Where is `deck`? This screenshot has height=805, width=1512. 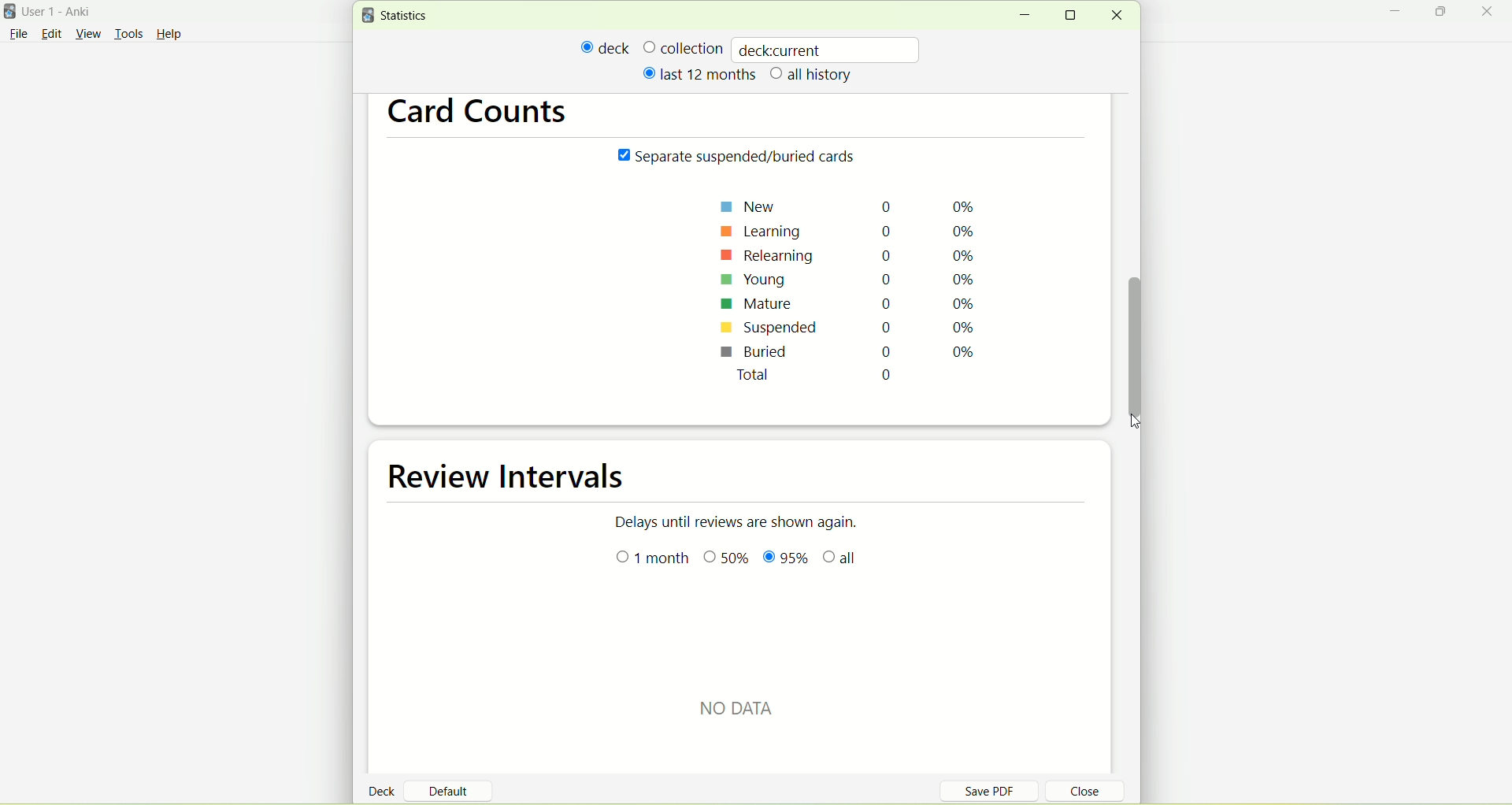
deck is located at coordinates (606, 47).